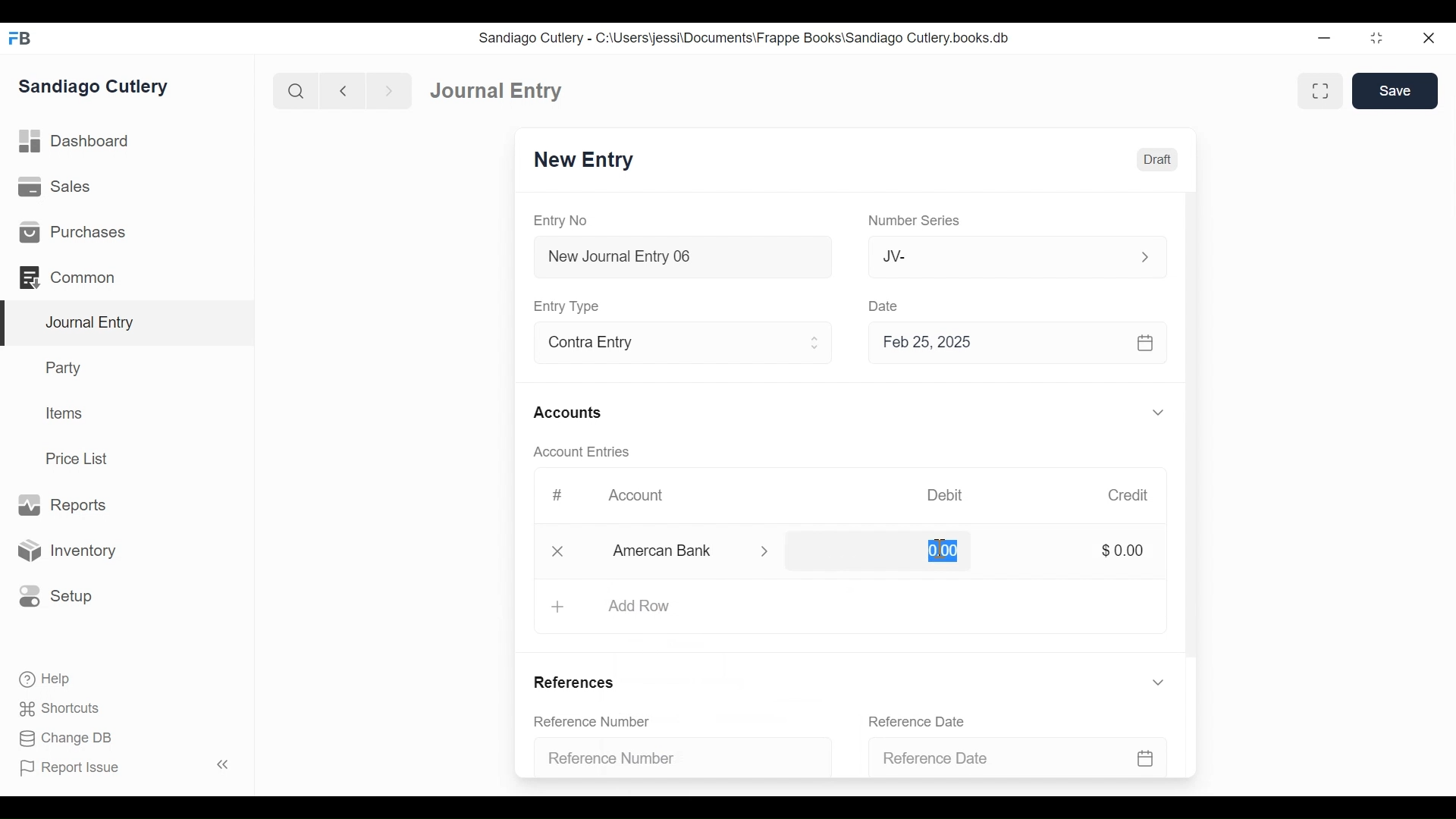  What do you see at coordinates (68, 740) in the screenshot?
I see `Change DB` at bounding box center [68, 740].